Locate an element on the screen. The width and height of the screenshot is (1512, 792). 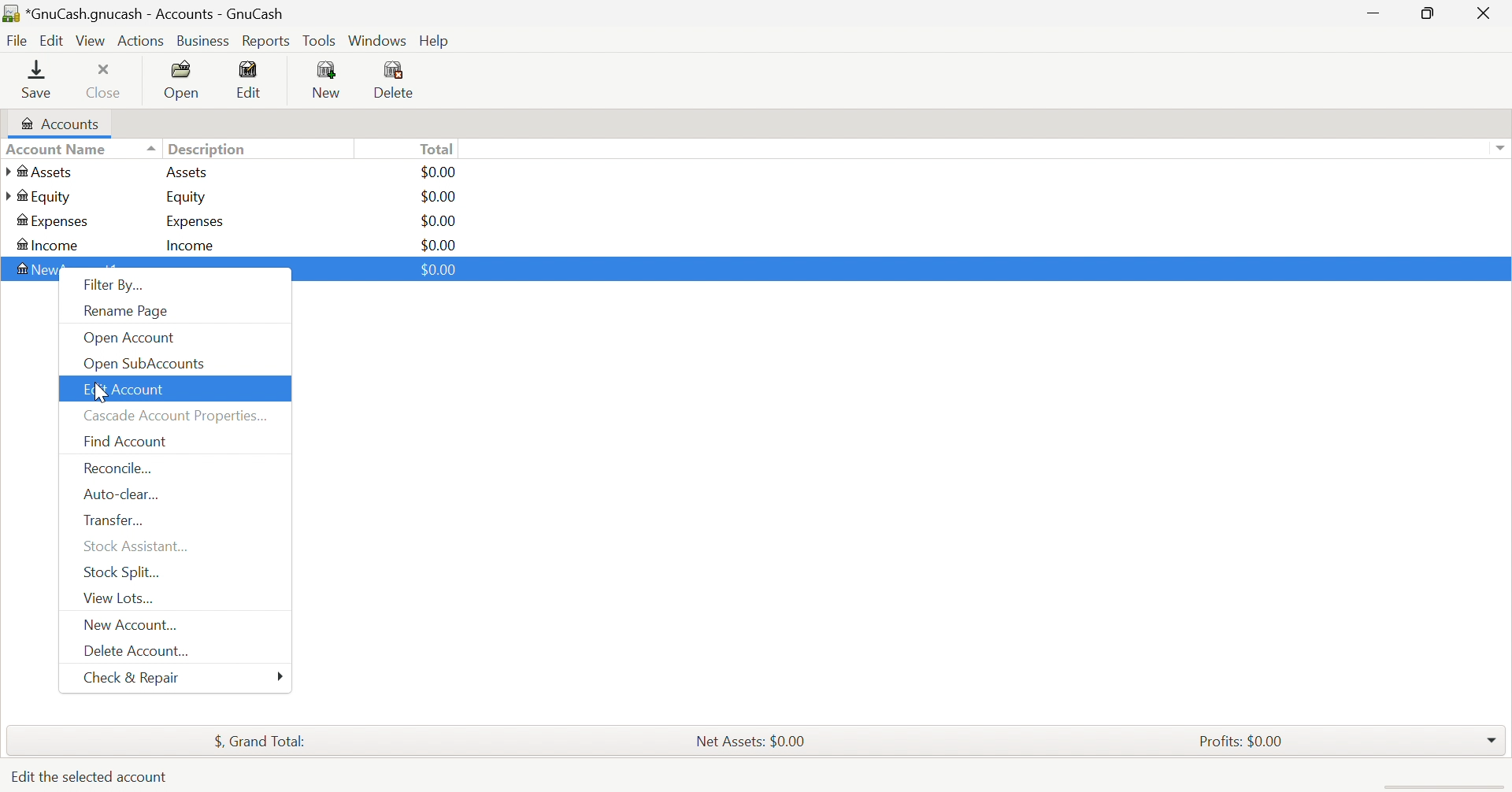
Total is located at coordinates (438, 148).